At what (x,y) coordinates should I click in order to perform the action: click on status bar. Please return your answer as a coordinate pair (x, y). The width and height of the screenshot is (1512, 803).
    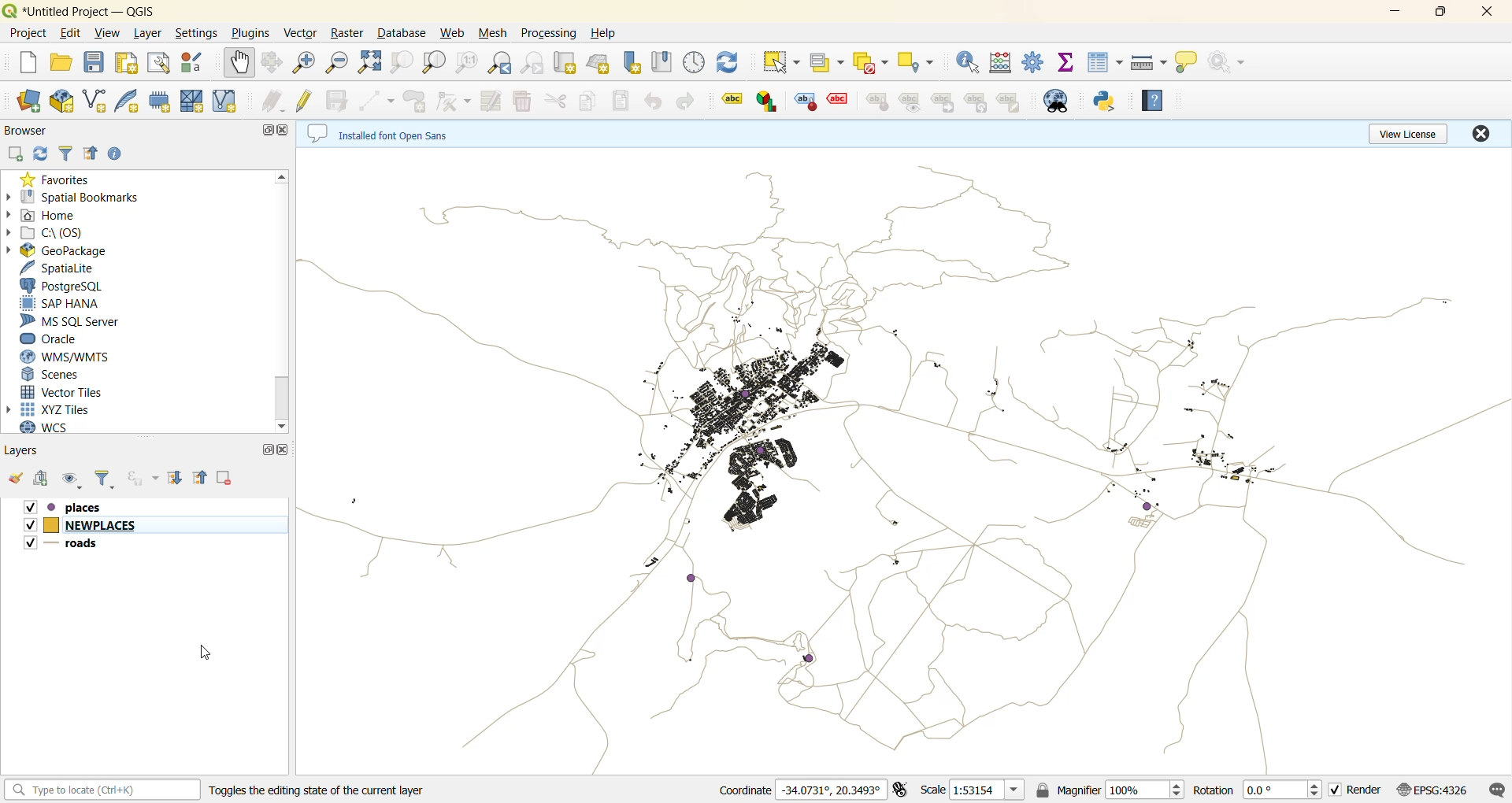
    Looking at the image, I should click on (102, 790).